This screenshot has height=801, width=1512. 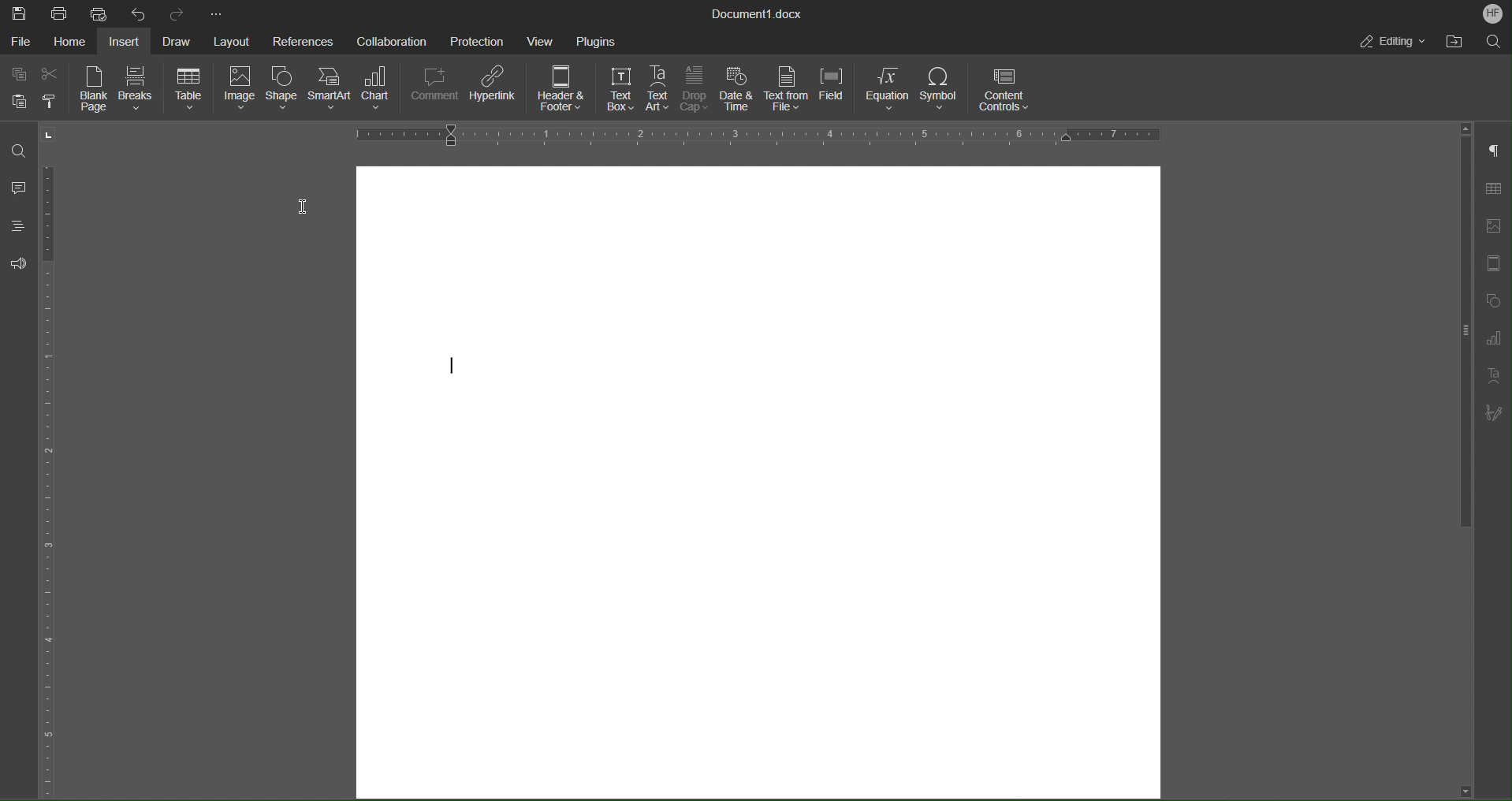 I want to click on Text from File, so click(x=787, y=89).